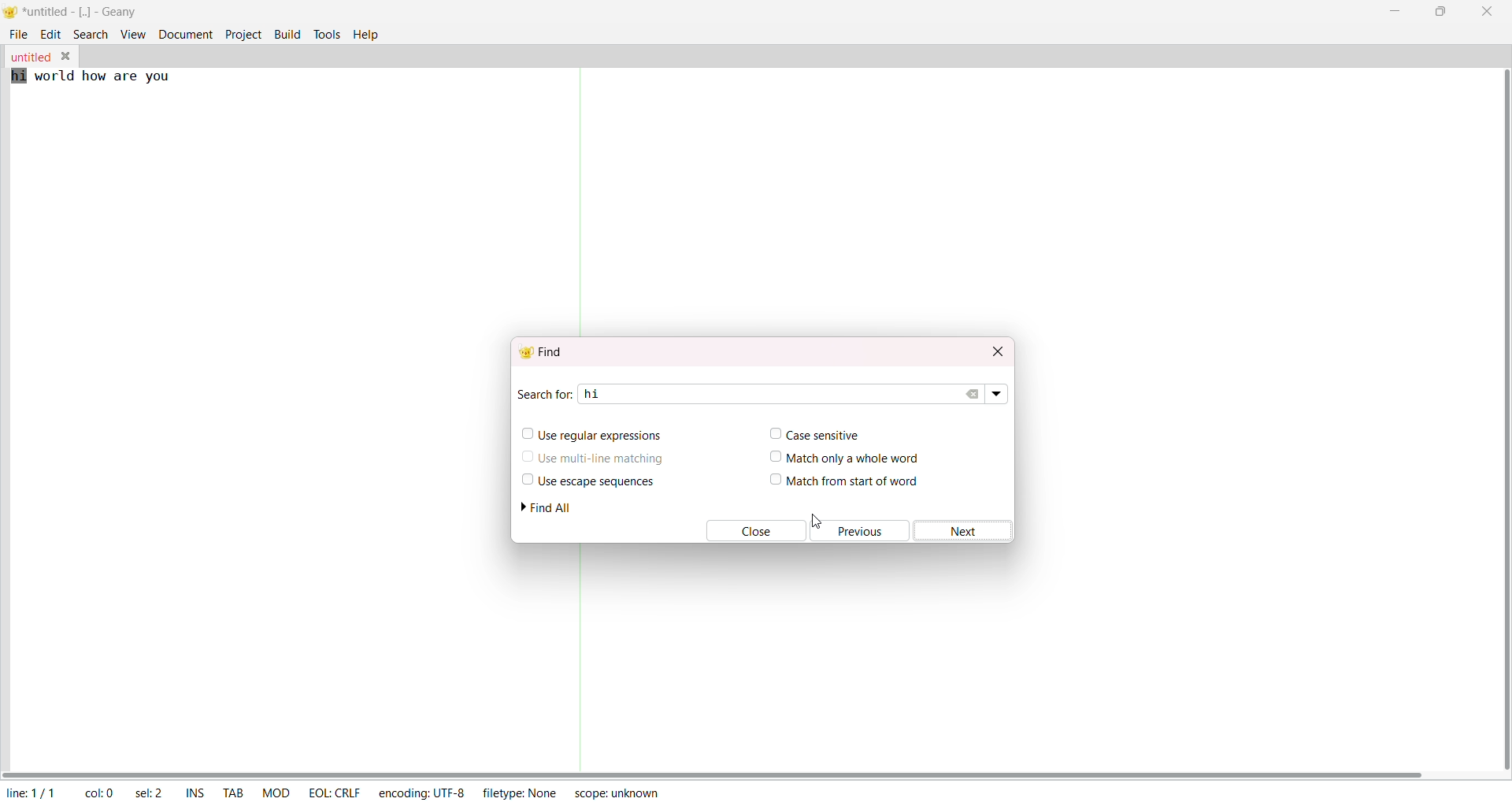 This screenshot has height=802, width=1512. I want to click on view, so click(134, 34).